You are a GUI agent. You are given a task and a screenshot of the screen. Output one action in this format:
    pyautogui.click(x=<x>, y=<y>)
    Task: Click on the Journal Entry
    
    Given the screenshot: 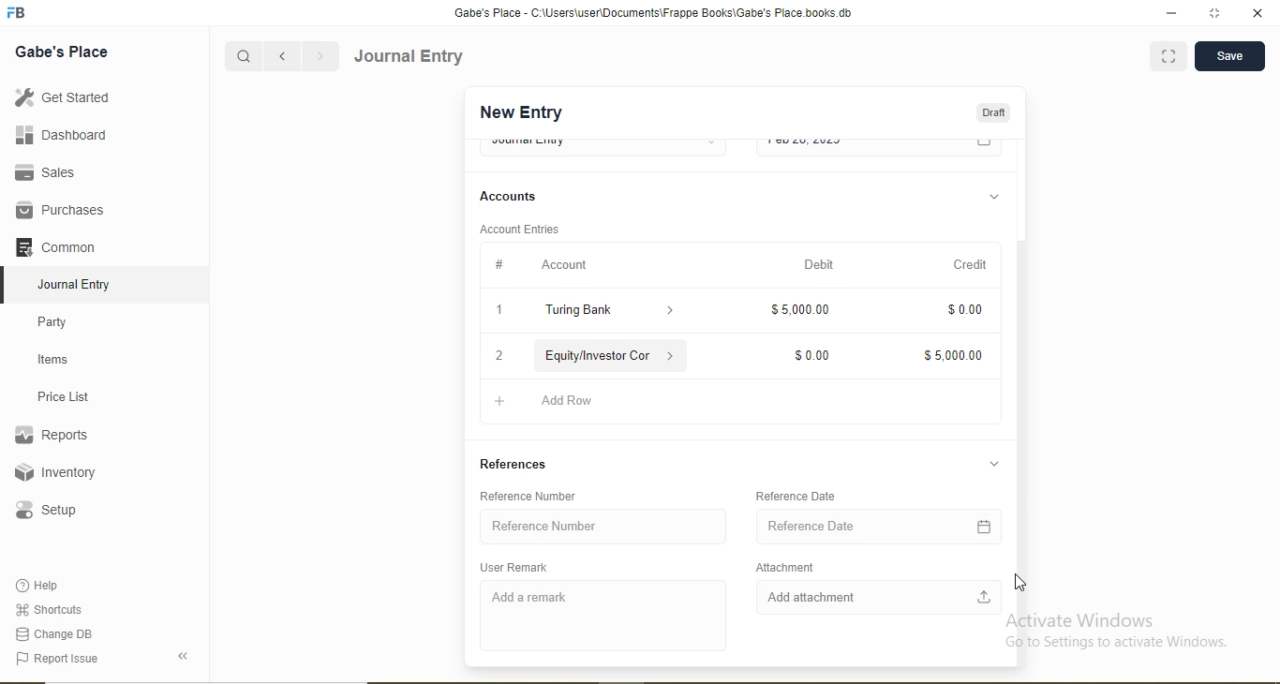 What is the action you would take?
    pyautogui.click(x=410, y=56)
    